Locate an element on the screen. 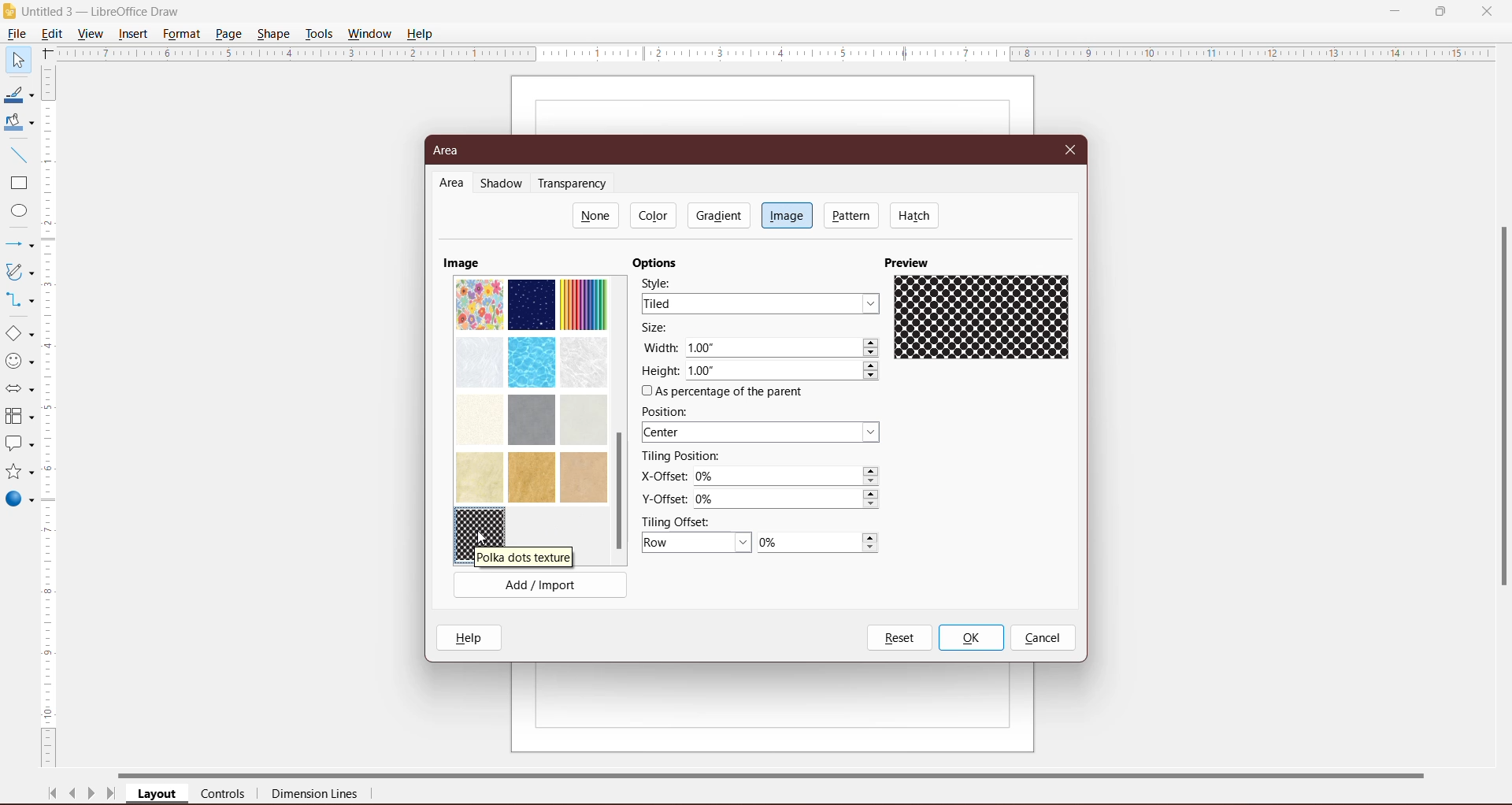  Selected Image preview is located at coordinates (985, 320).